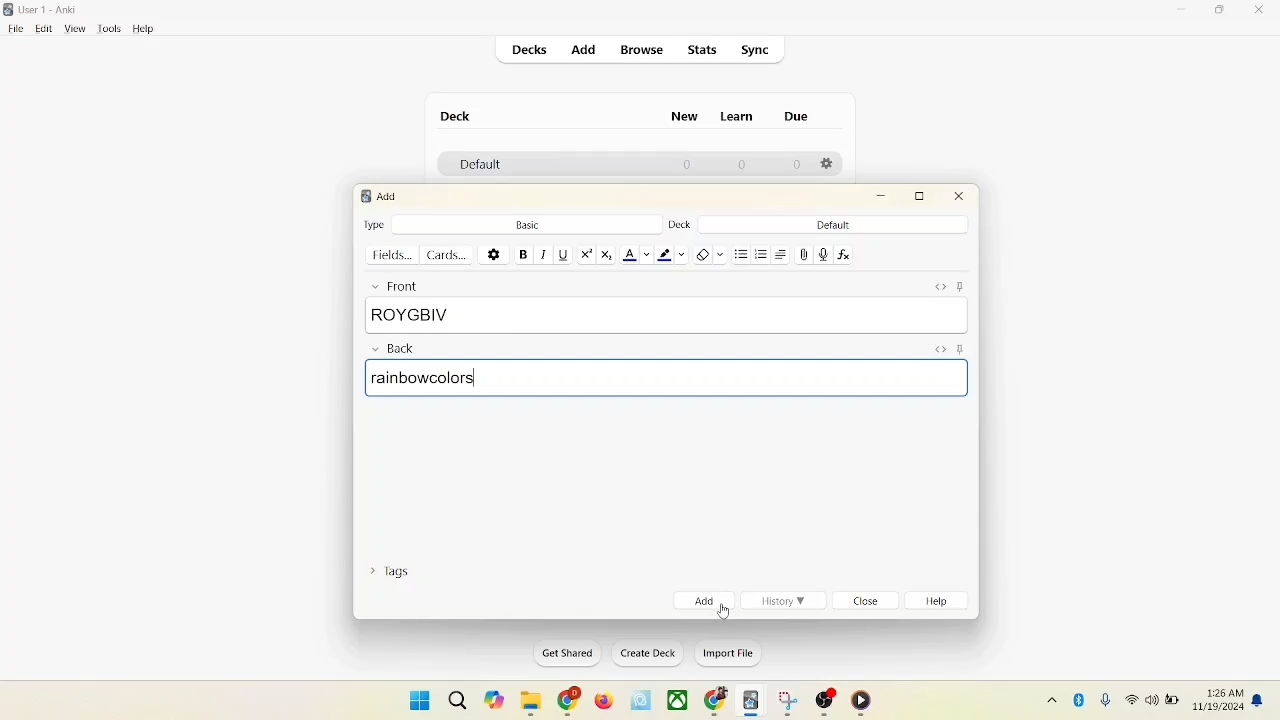 Image resolution: width=1280 pixels, height=720 pixels. Describe the element at coordinates (756, 50) in the screenshot. I see `sync` at that location.